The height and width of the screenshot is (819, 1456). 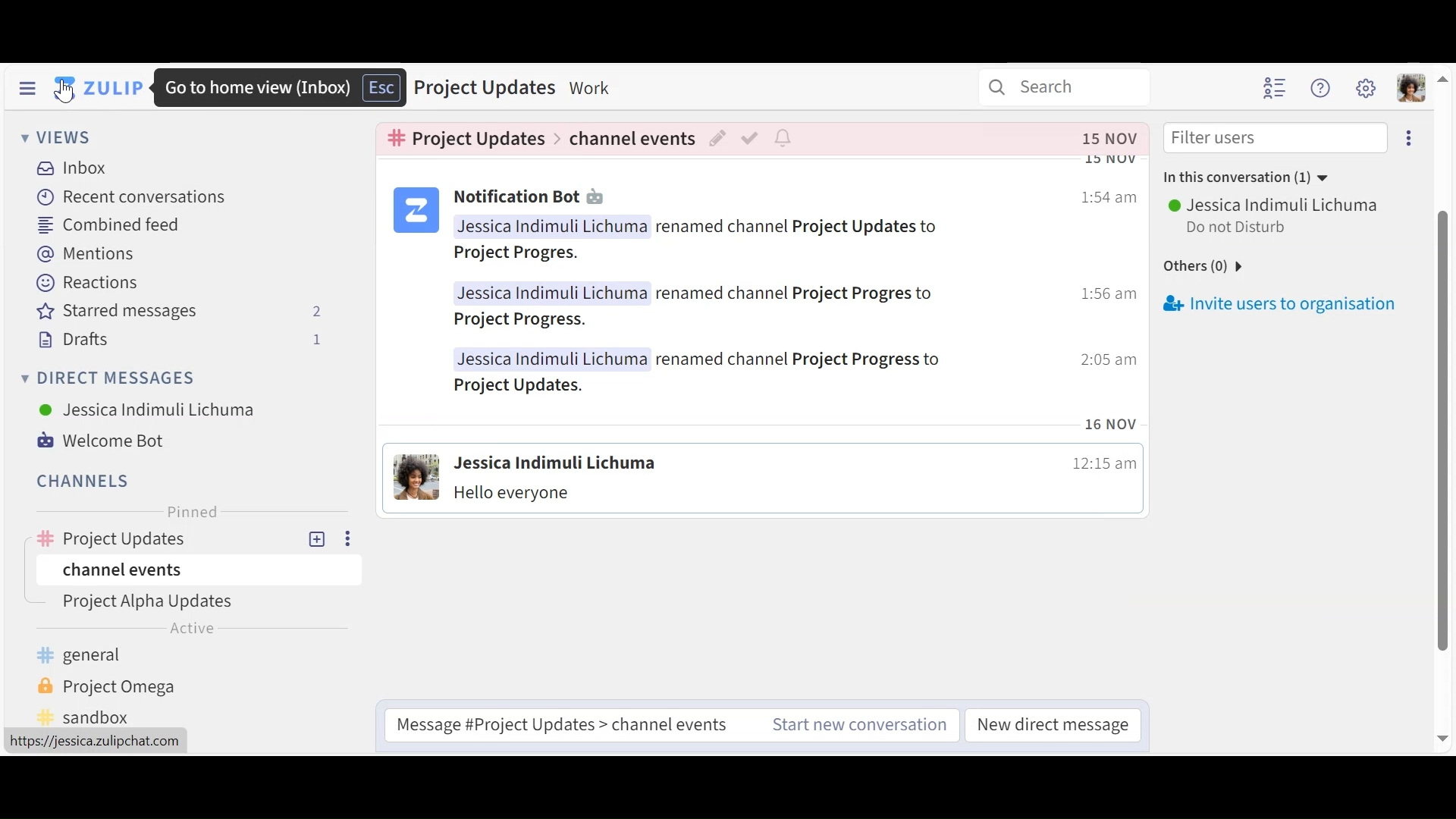 I want to click on Channels, so click(x=88, y=480).